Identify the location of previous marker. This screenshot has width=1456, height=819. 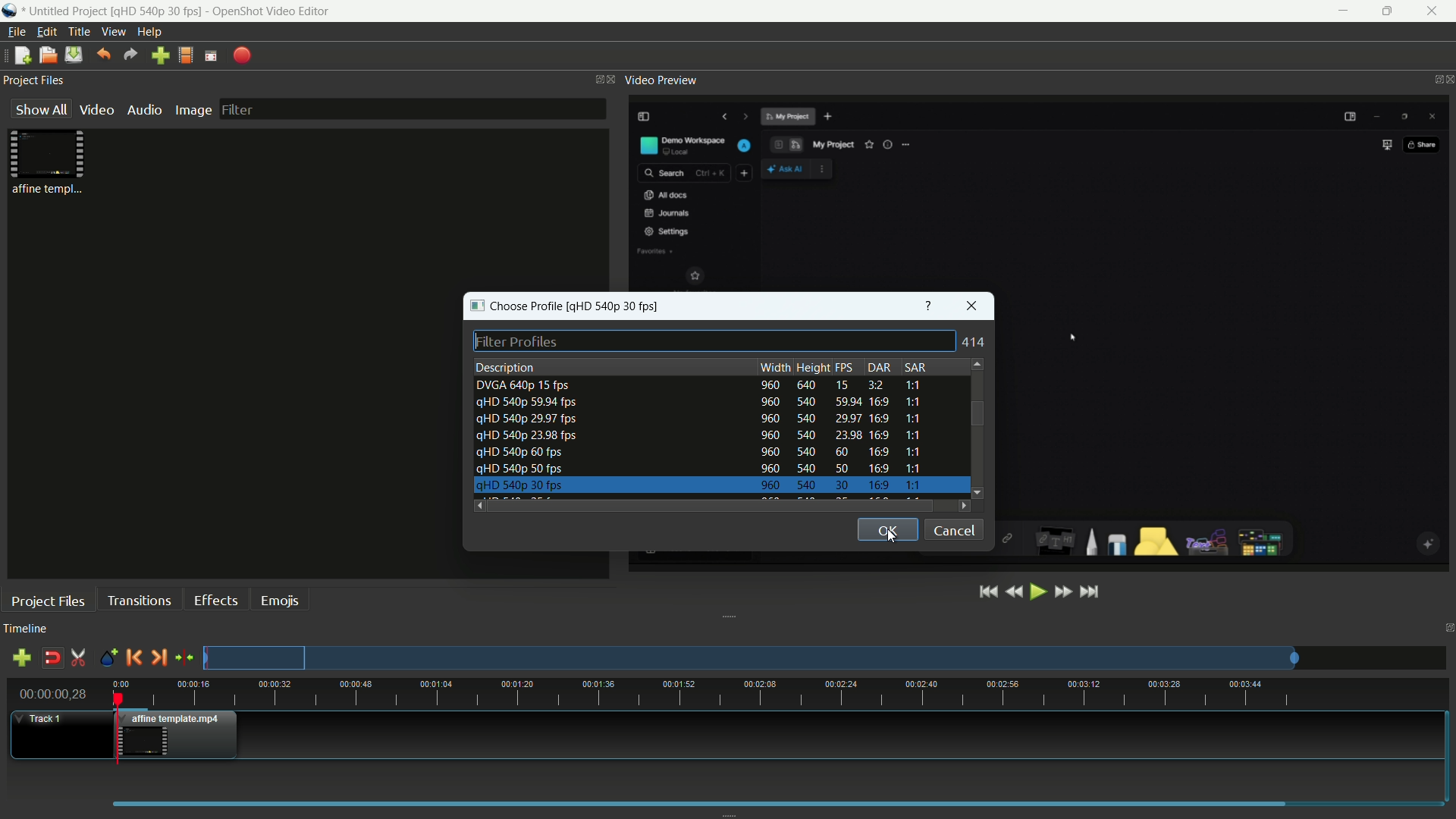
(133, 657).